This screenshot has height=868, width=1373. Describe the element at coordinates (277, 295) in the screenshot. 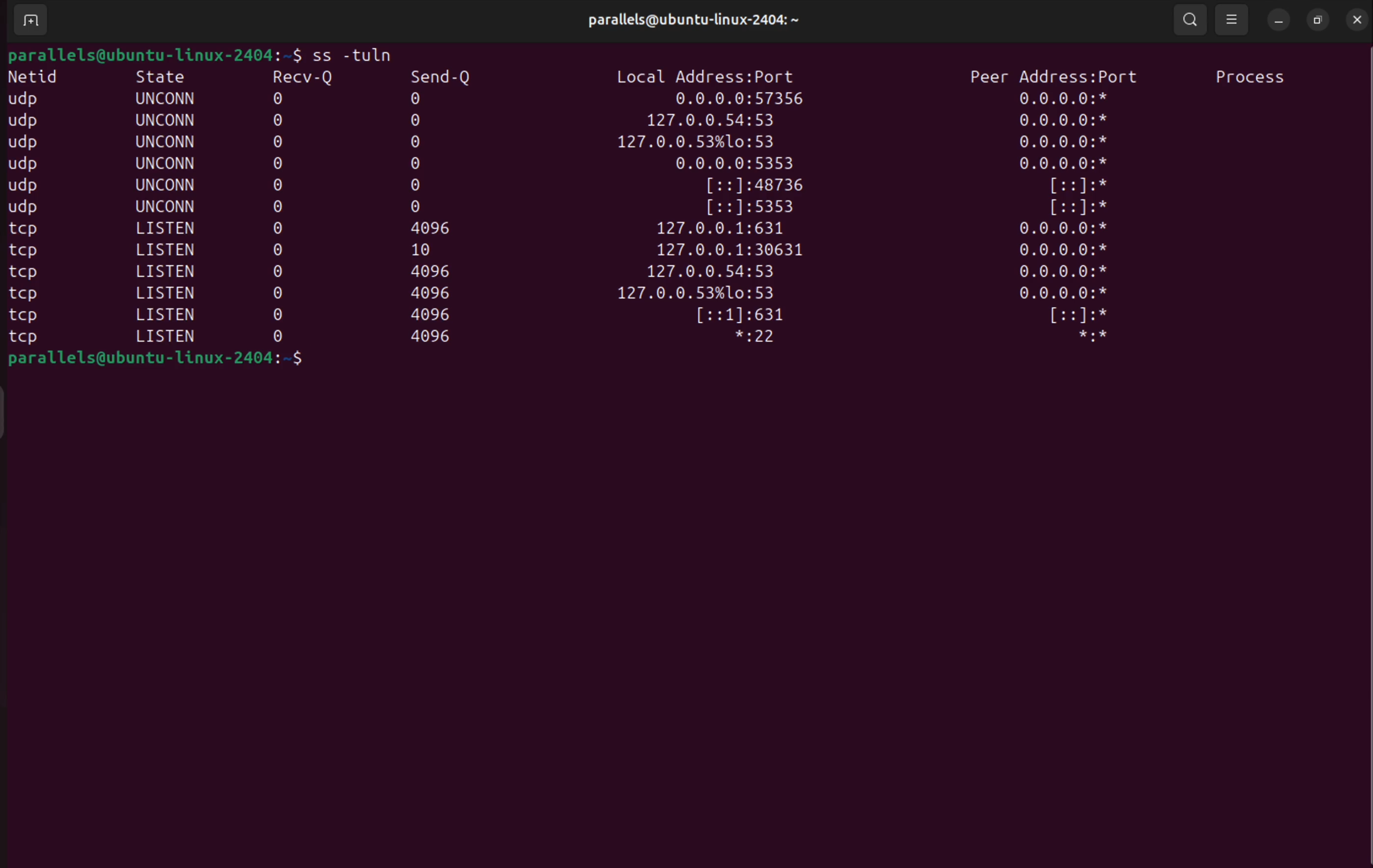

I see `` at that location.